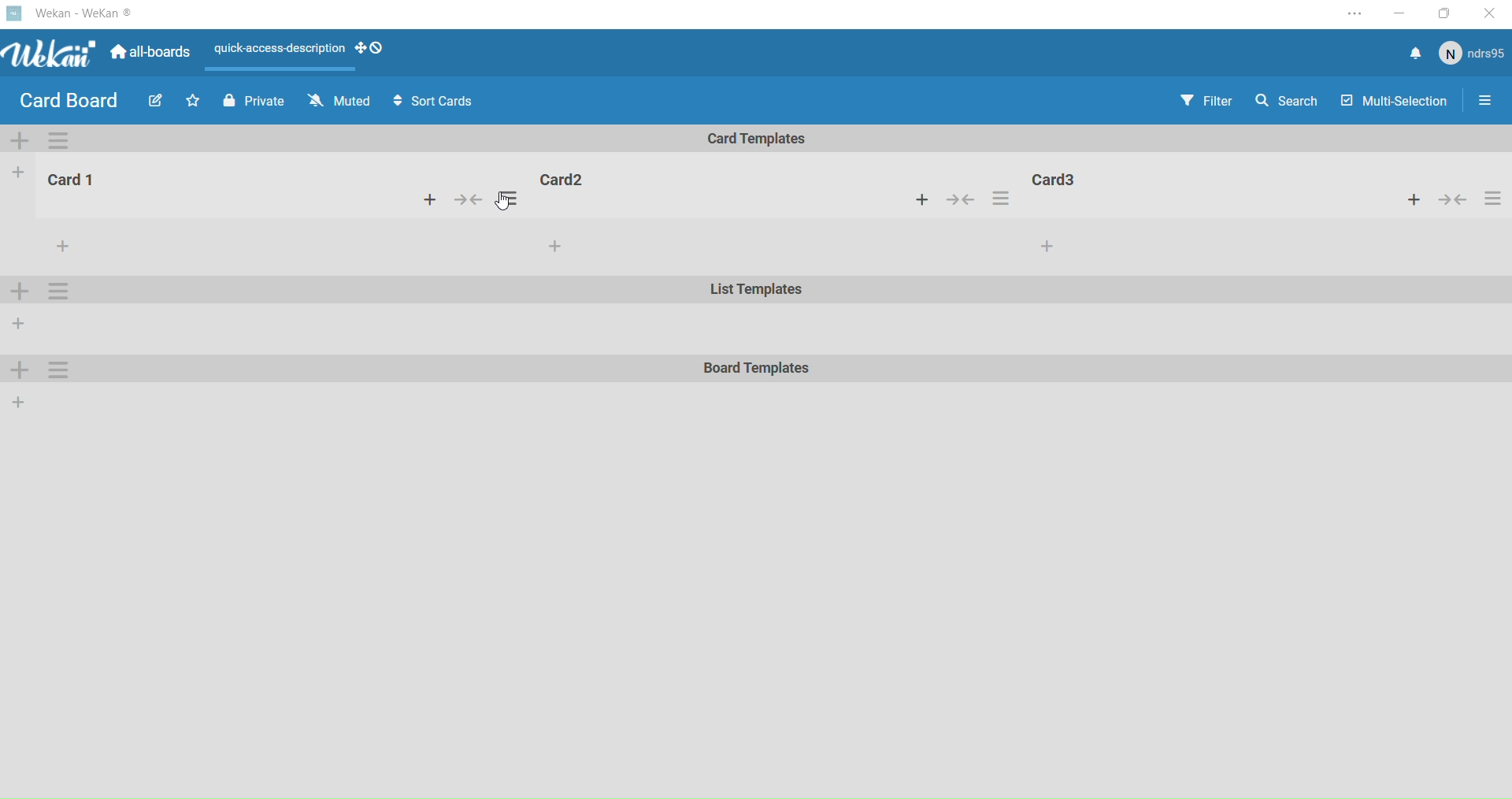 This screenshot has width=1512, height=799. What do you see at coordinates (1486, 105) in the screenshot?
I see `Settings` at bounding box center [1486, 105].